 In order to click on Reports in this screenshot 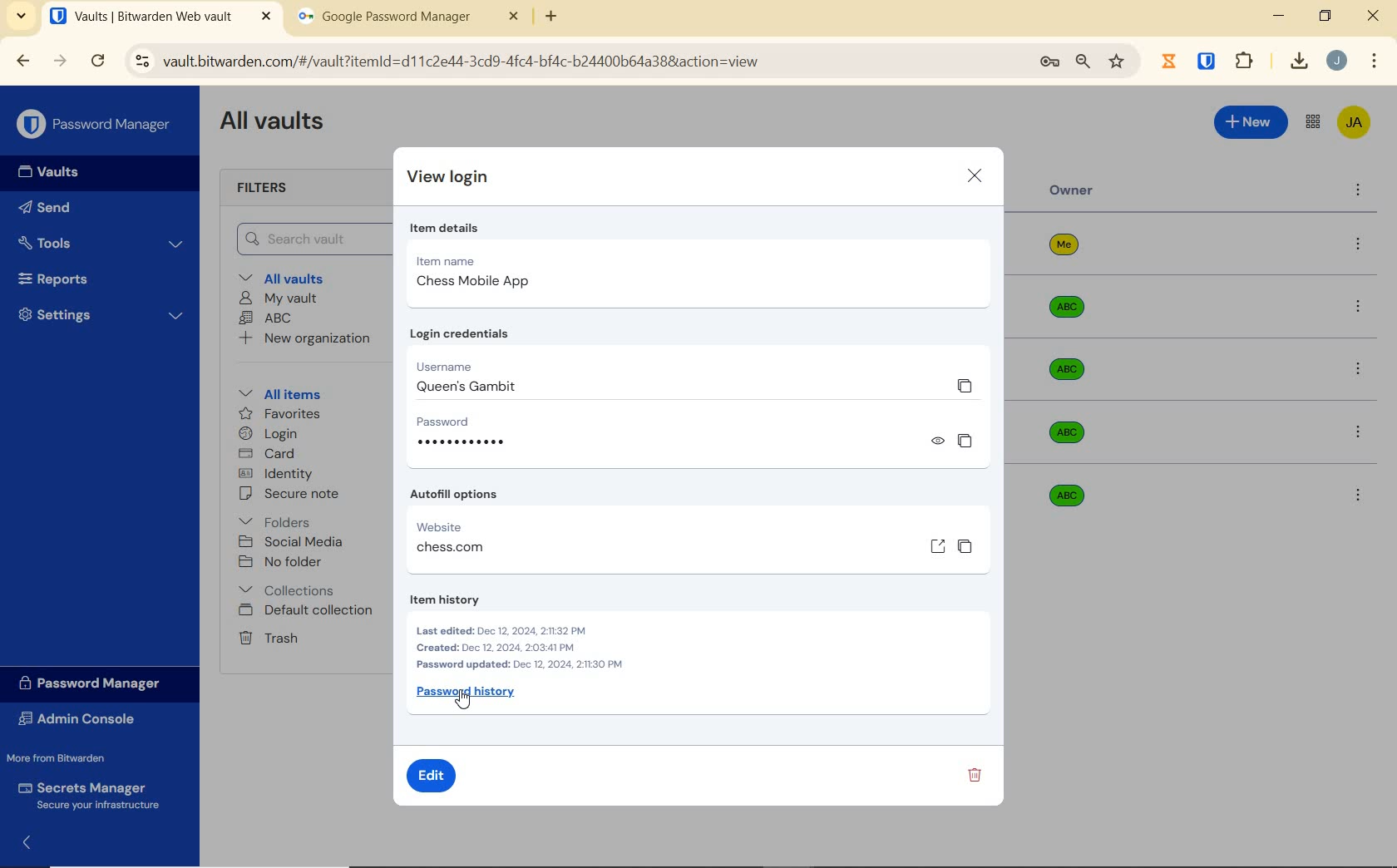, I will do `click(71, 280)`.